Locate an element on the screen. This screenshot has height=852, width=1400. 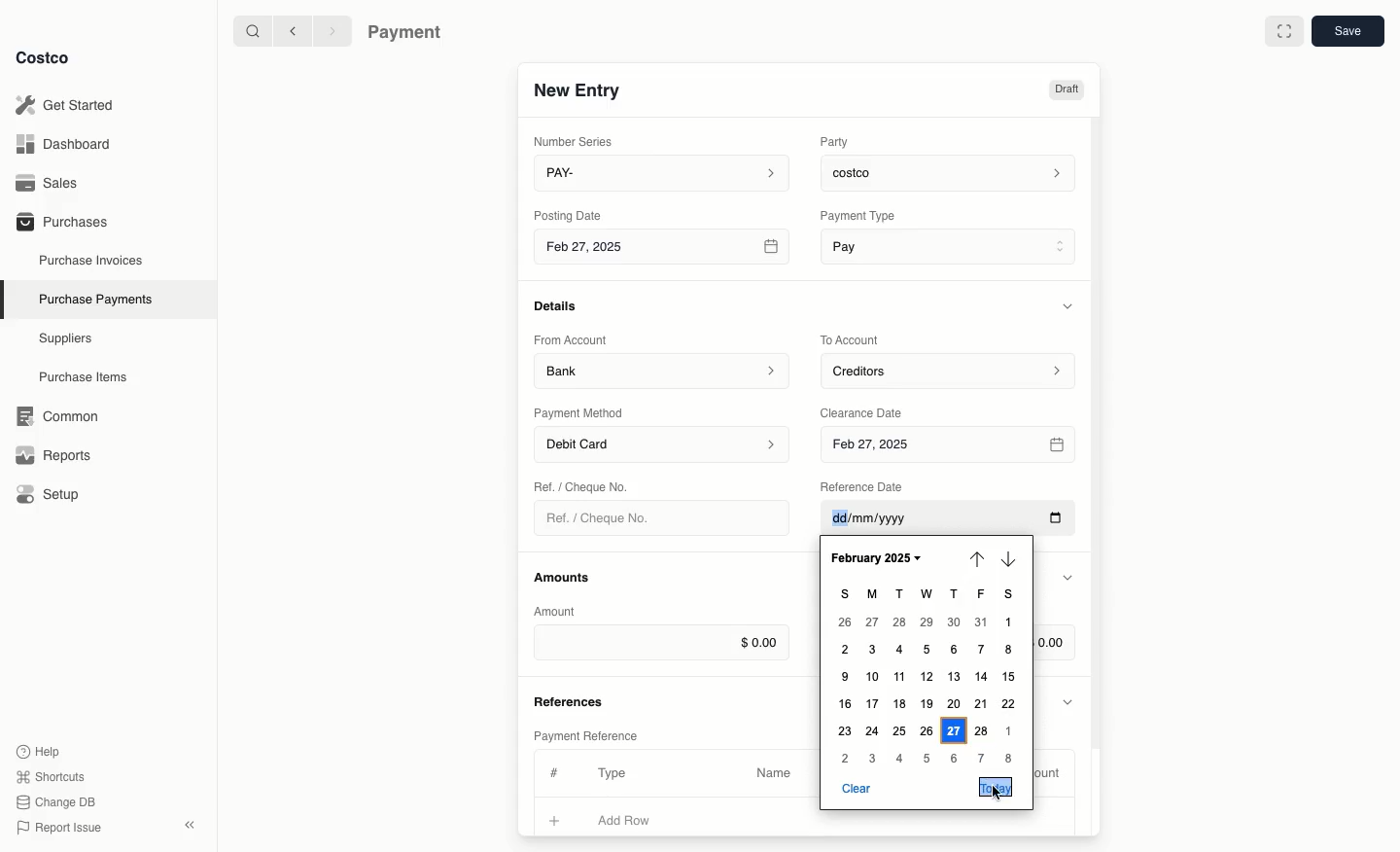
Debit Card is located at coordinates (663, 445).